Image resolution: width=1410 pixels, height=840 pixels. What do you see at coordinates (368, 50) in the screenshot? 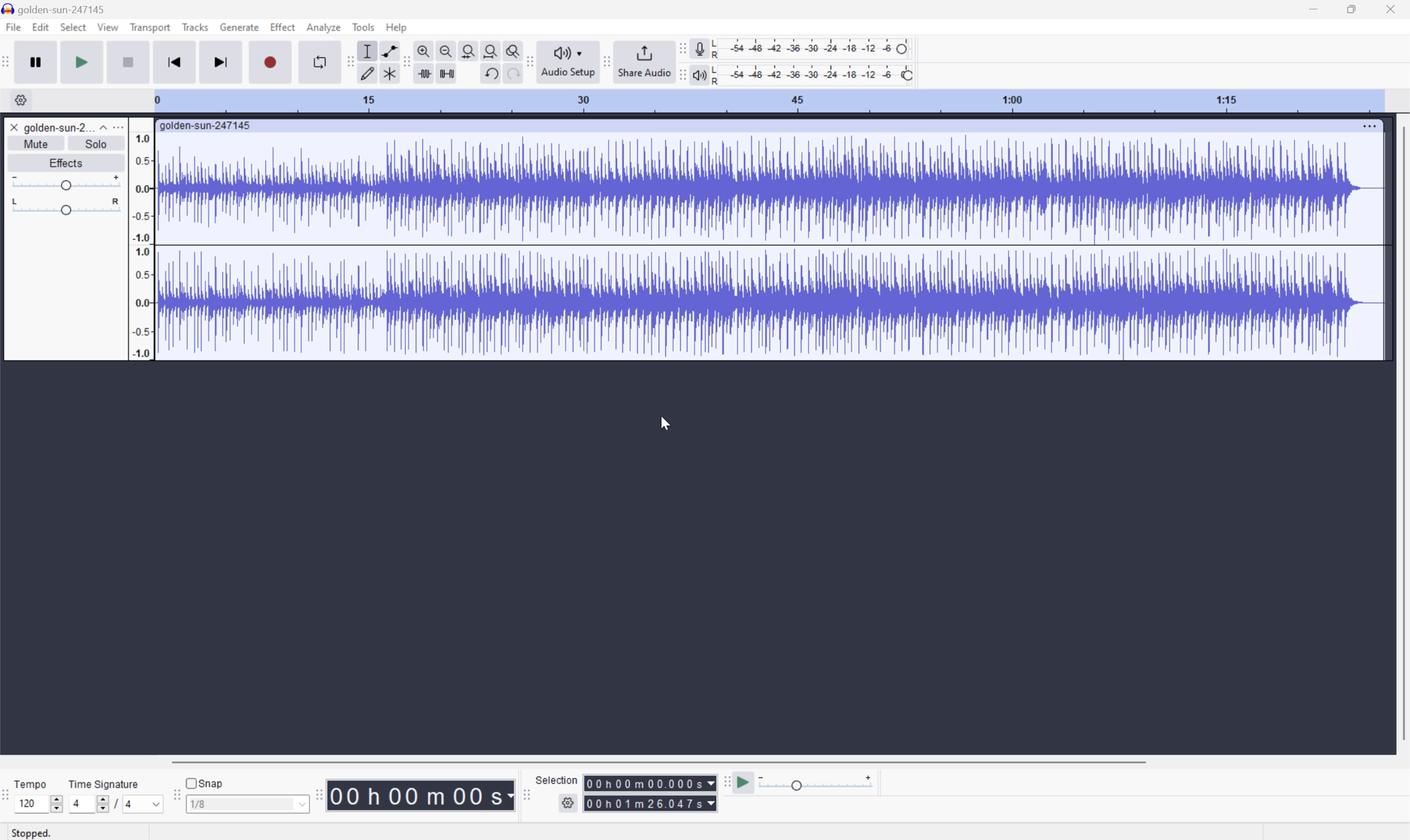
I see `Selection Tool` at bounding box center [368, 50].